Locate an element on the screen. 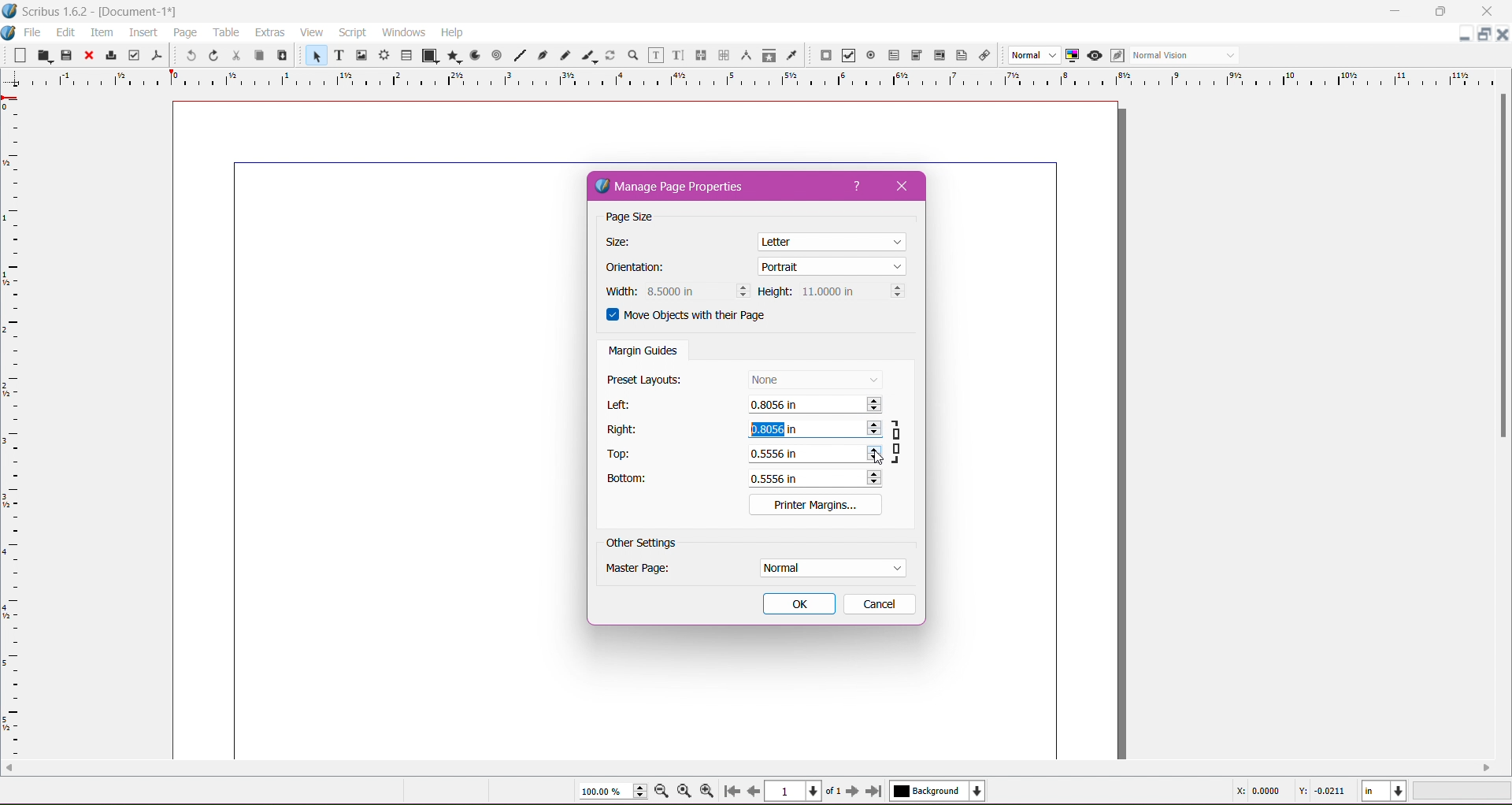 Image resolution: width=1512 pixels, height=805 pixels. Toggle Color Management System is located at coordinates (1073, 55).